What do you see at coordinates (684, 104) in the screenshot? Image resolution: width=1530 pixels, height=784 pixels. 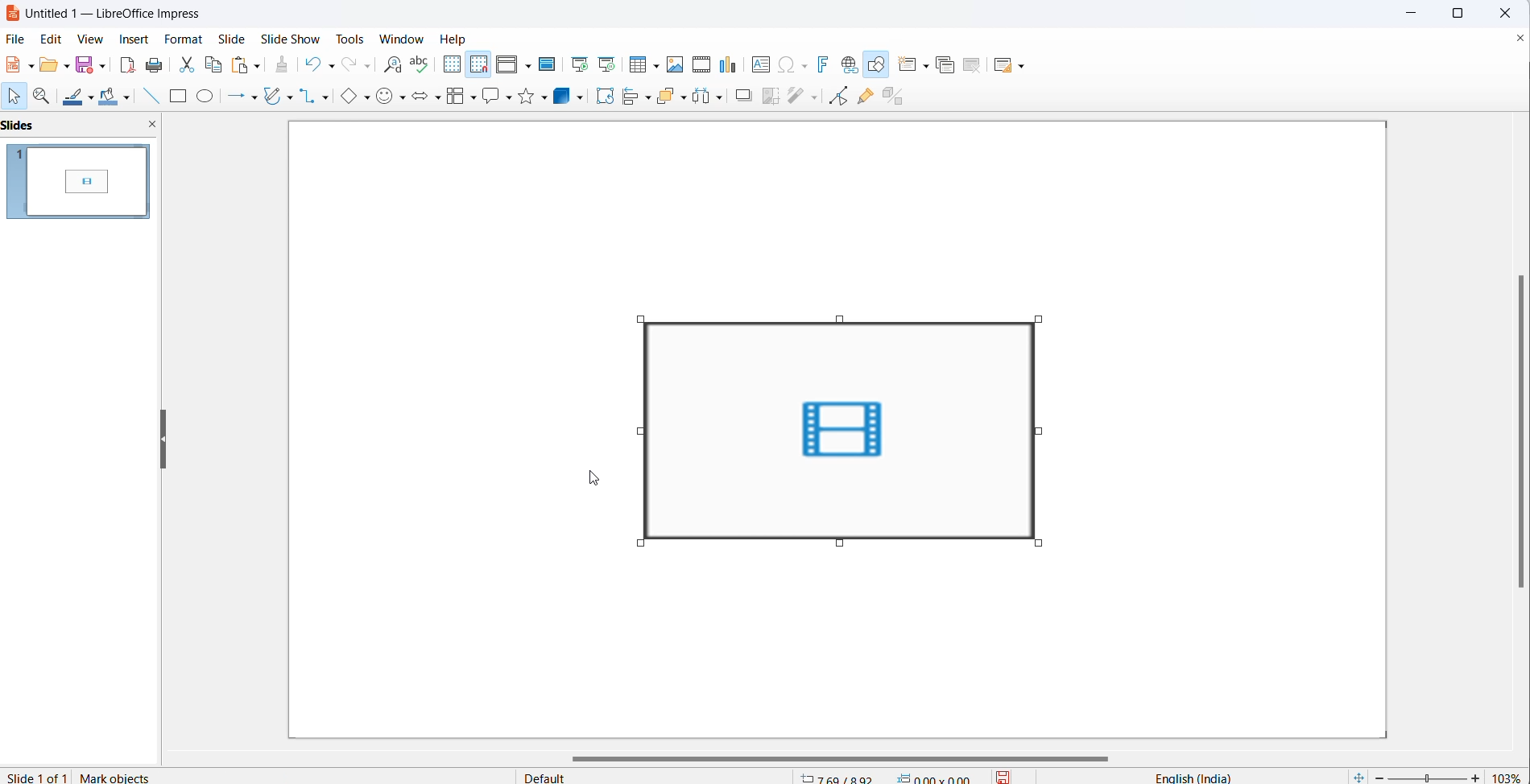 I see `arrange options` at bounding box center [684, 104].